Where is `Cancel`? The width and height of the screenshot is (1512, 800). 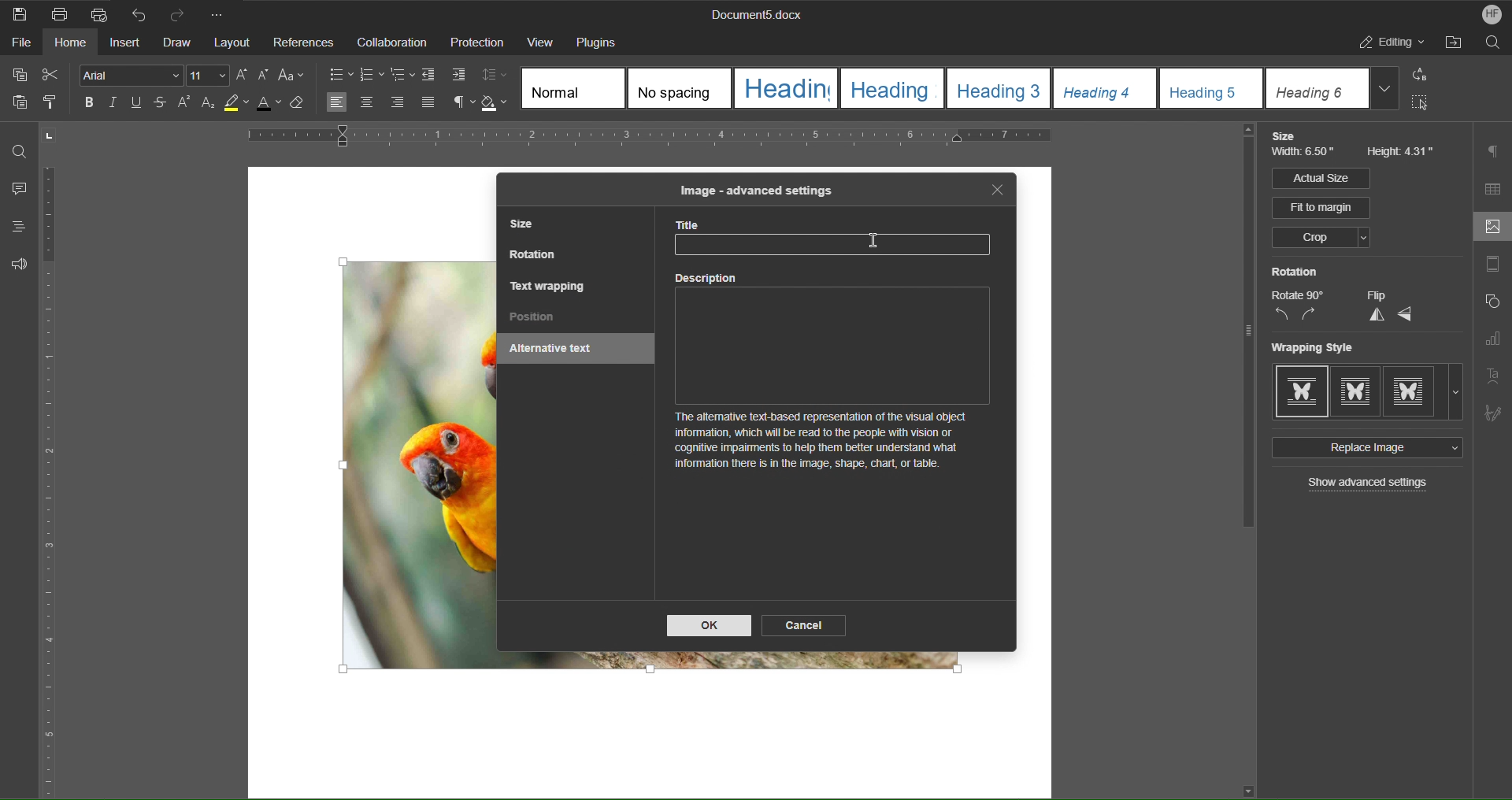
Cancel is located at coordinates (806, 624).